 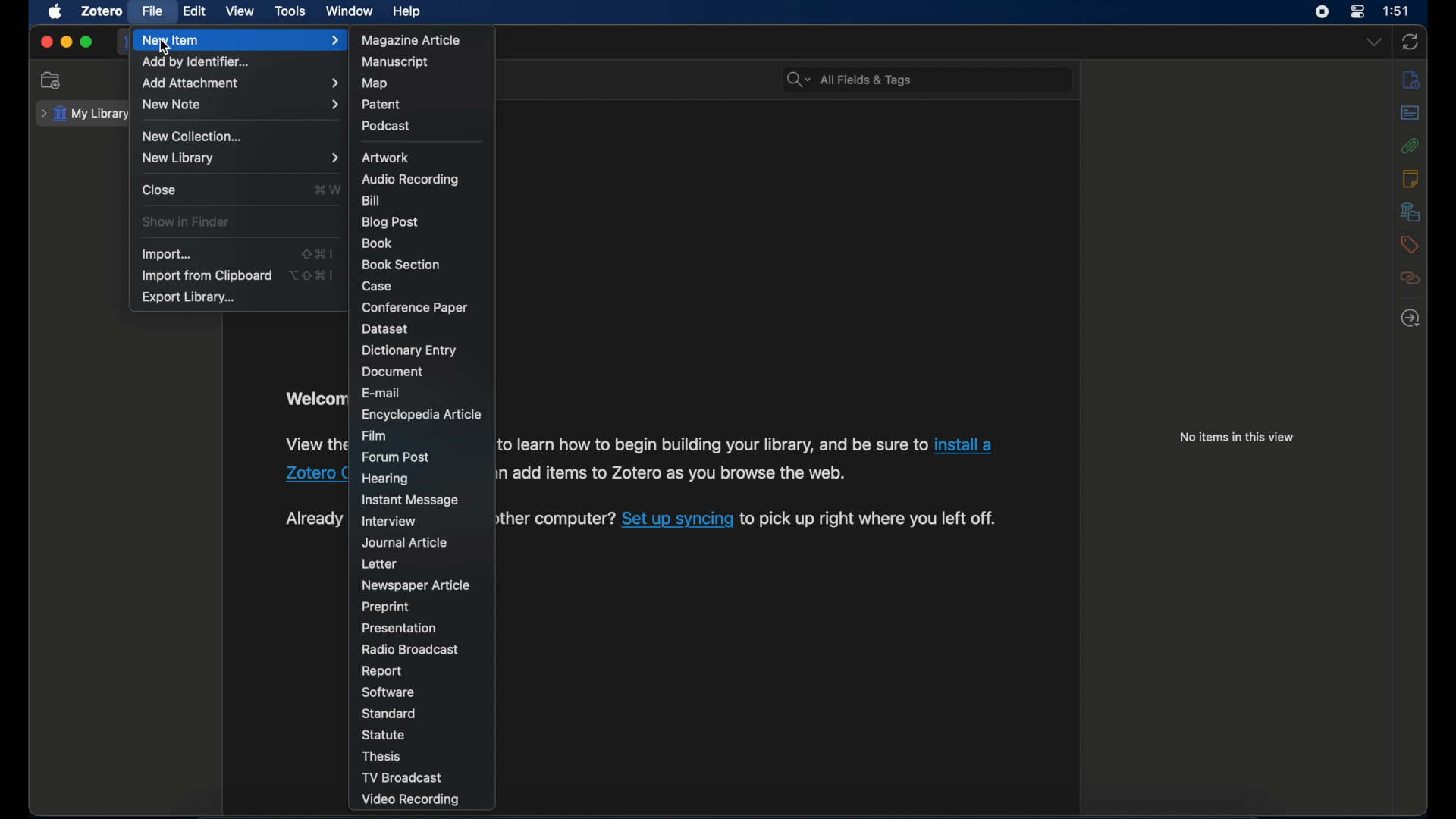 What do you see at coordinates (208, 276) in the screenshot?
I see `import from clipboard` at bounding box center [208, 276].